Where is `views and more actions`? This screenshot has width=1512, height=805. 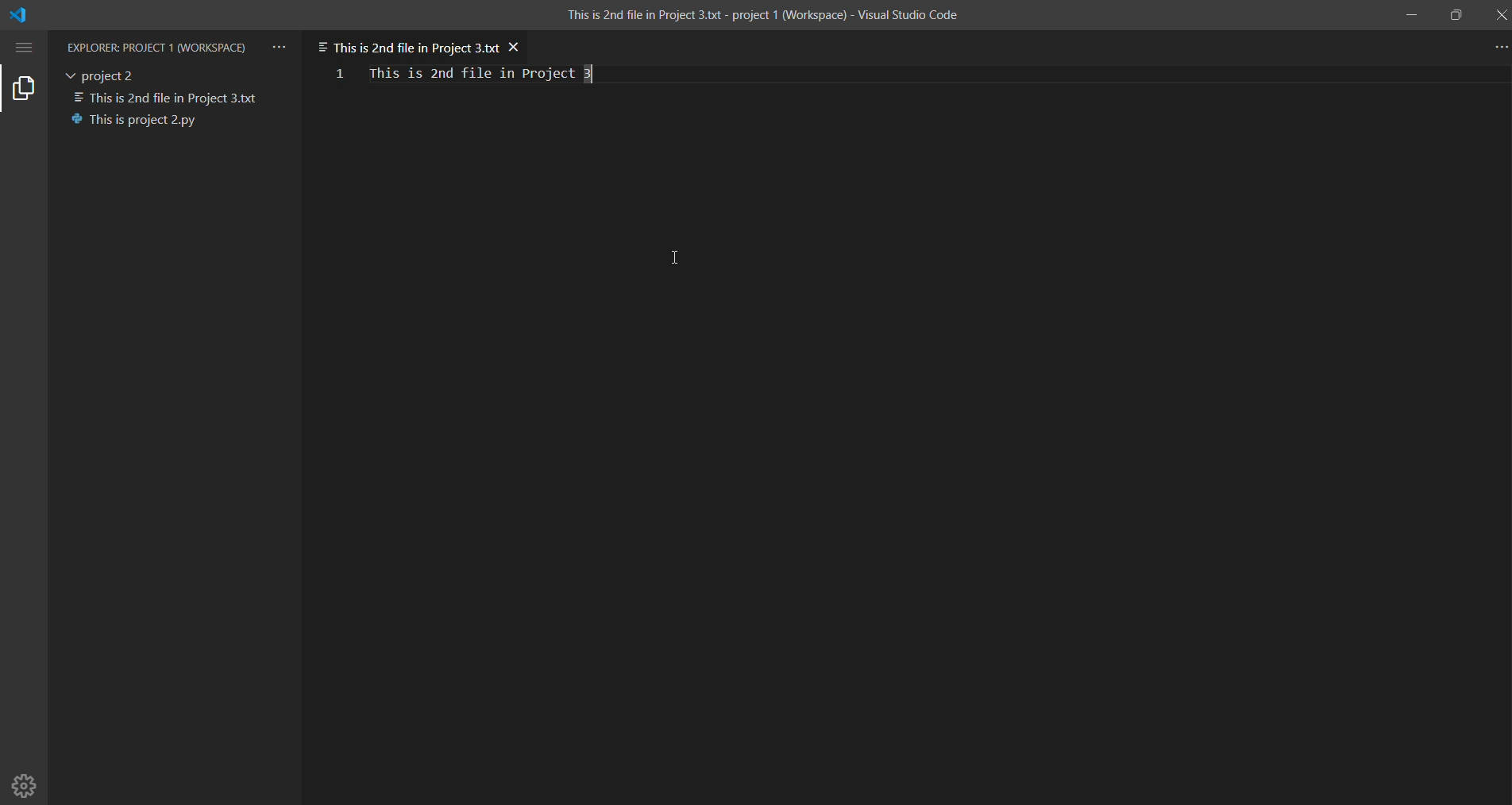
views and more actions is located at coordinates (280, 43).